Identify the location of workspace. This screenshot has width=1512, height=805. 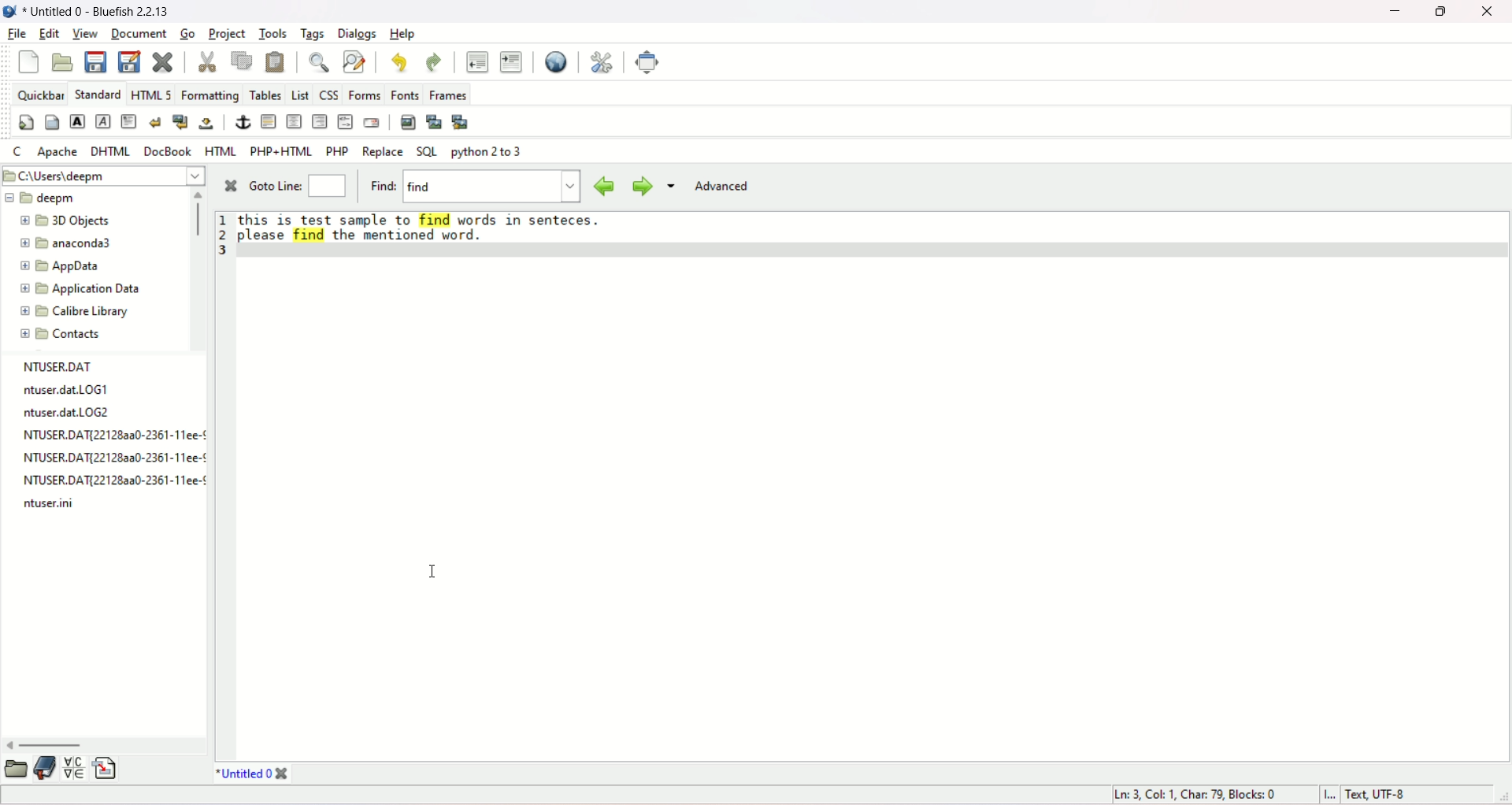
(873, 515).